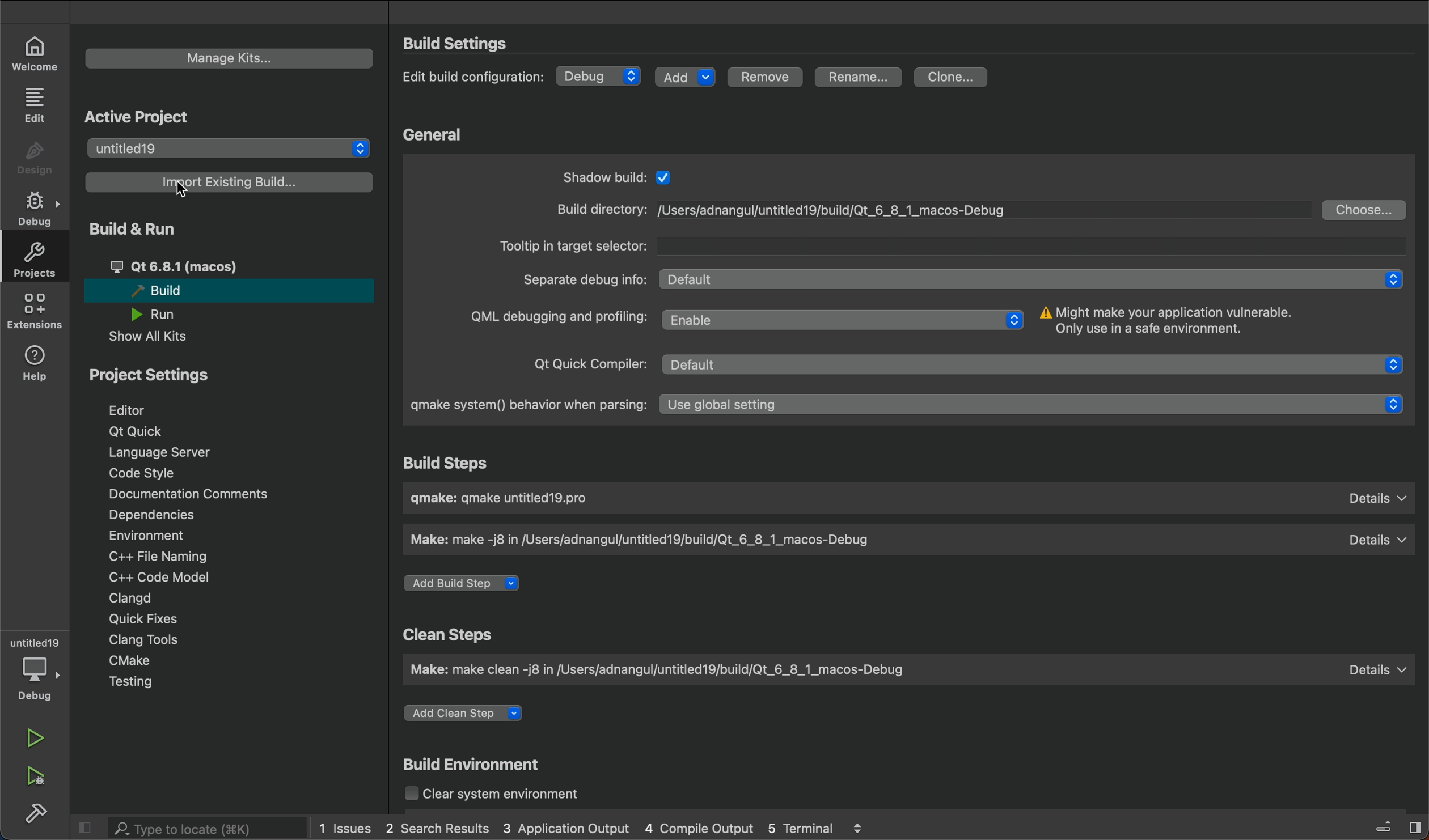  What do you see at coordinates (38, 739) in the screenshot?
I see `run` at bounding box center [38, 739].